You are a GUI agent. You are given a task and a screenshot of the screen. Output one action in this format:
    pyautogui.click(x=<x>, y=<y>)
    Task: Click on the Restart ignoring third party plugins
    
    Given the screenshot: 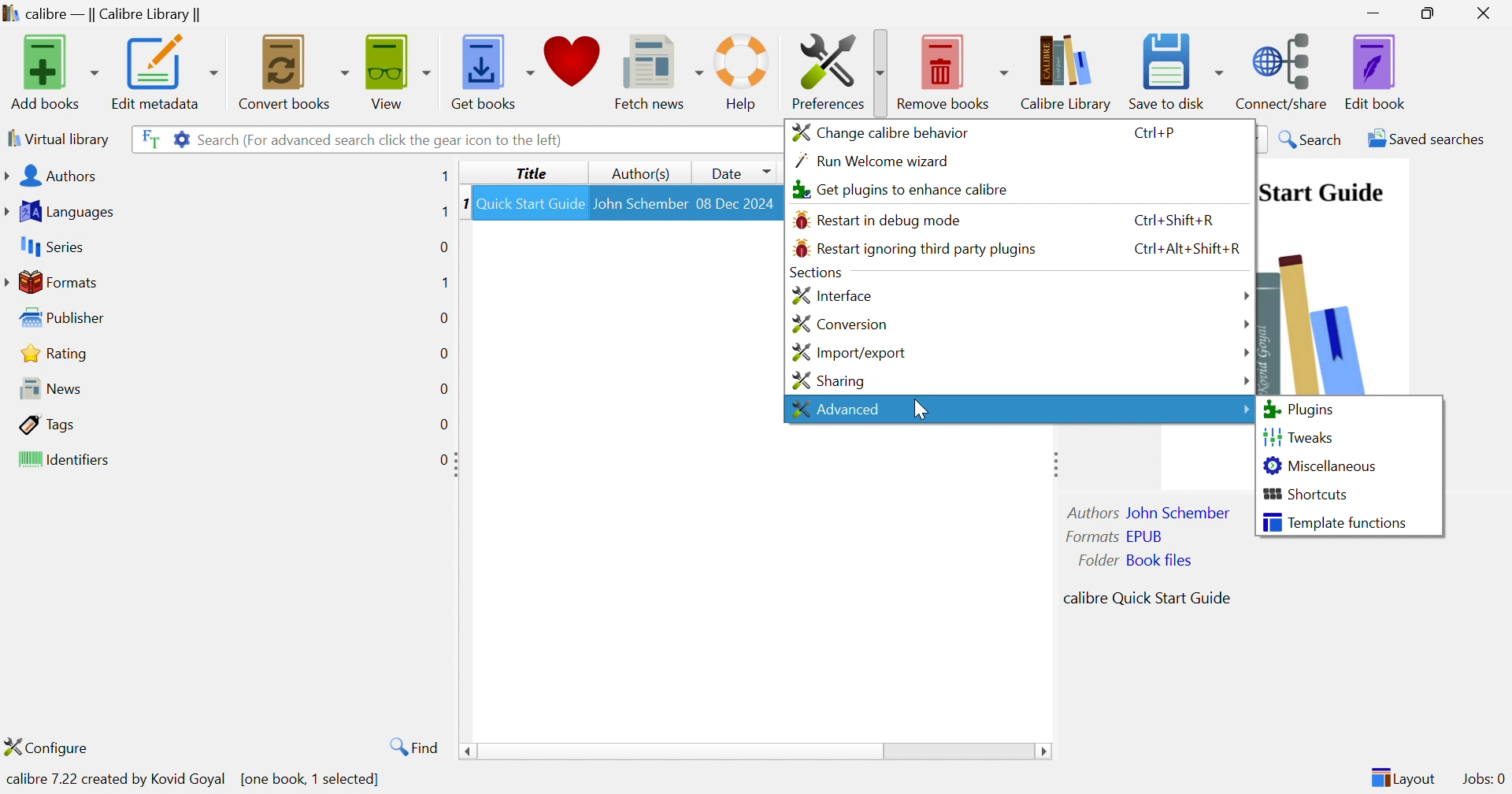 What is the action you would take?
    pyautogui.click(x=914, y=249)
    